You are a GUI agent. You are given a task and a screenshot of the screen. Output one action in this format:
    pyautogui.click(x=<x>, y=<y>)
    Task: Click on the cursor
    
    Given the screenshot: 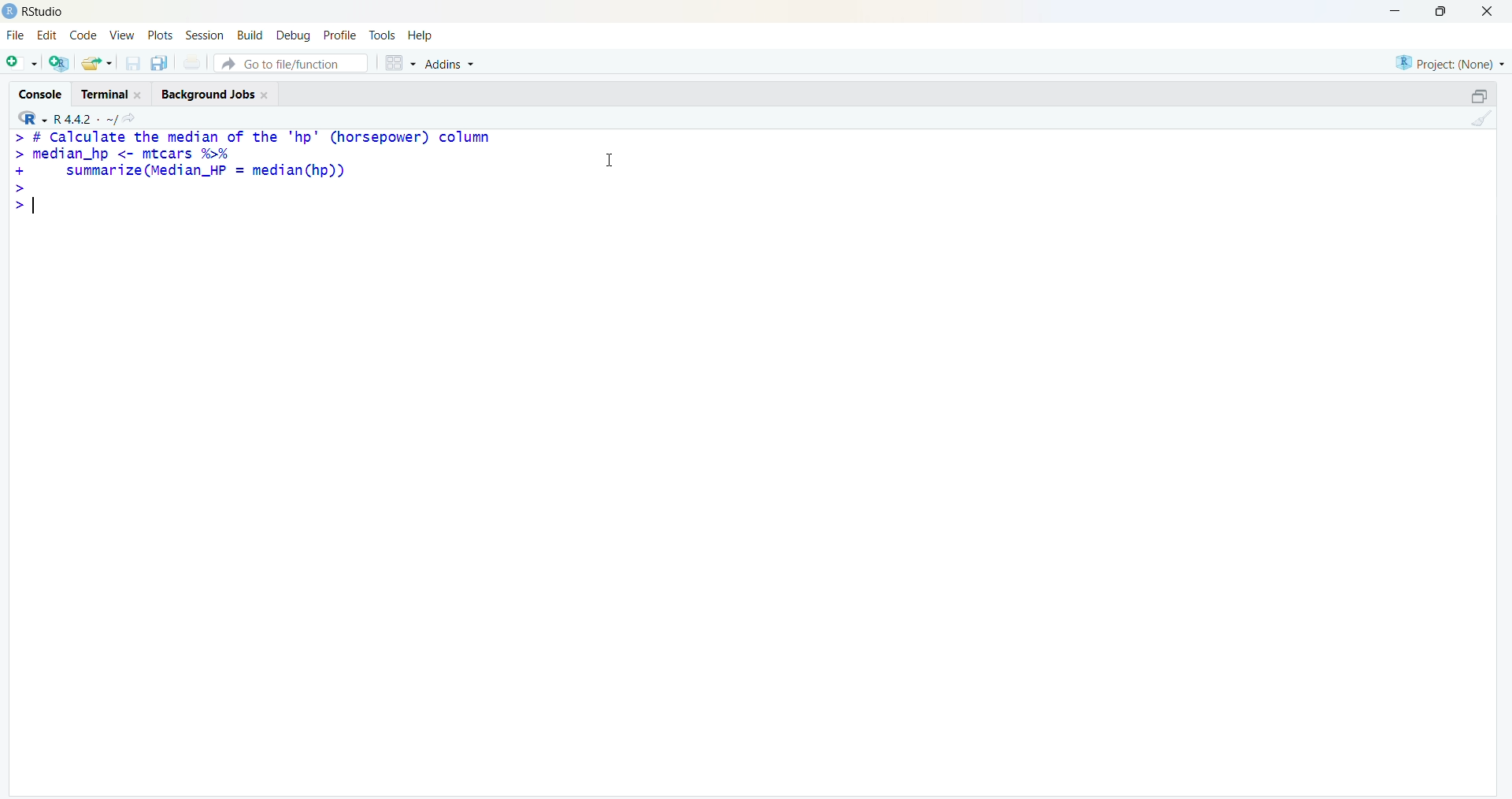 What is the action you would take?
    pyautogui.click(x=610, y=162)
    